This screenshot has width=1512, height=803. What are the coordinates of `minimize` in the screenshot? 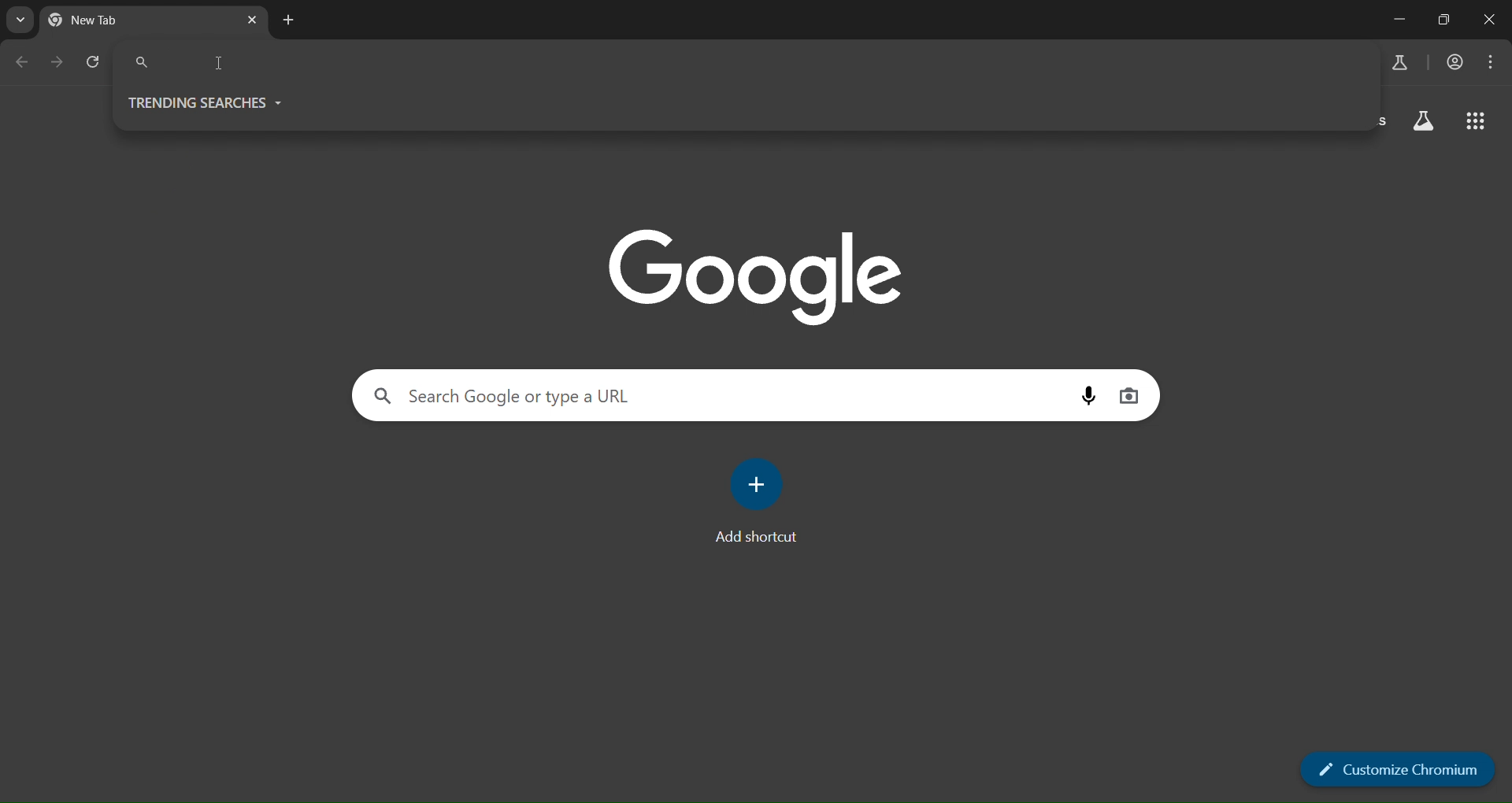 It's located at (1399, 20).